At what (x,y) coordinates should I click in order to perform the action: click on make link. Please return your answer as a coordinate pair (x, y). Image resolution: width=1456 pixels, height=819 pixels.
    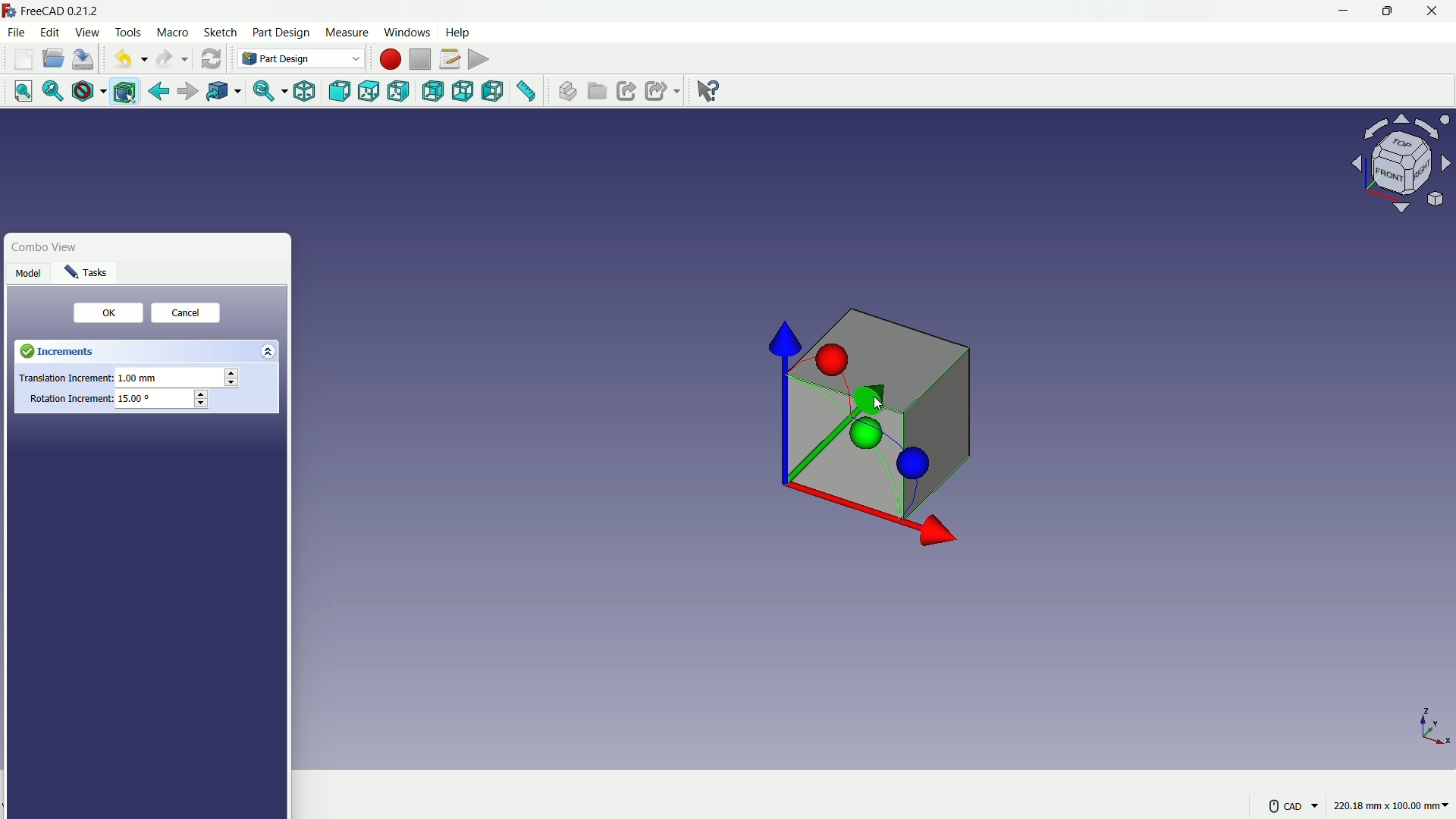
    Looking at the image, I should click on (626, 93).